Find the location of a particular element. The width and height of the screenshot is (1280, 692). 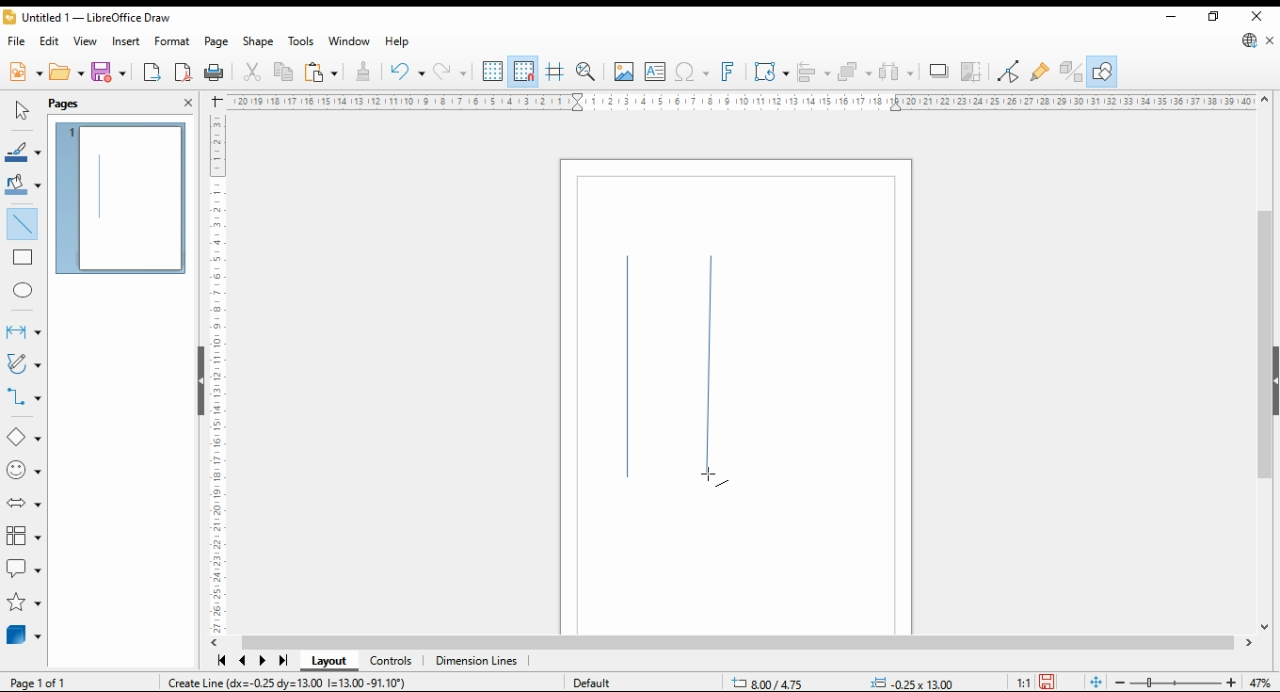

cut is located at coordinates (254, 72).